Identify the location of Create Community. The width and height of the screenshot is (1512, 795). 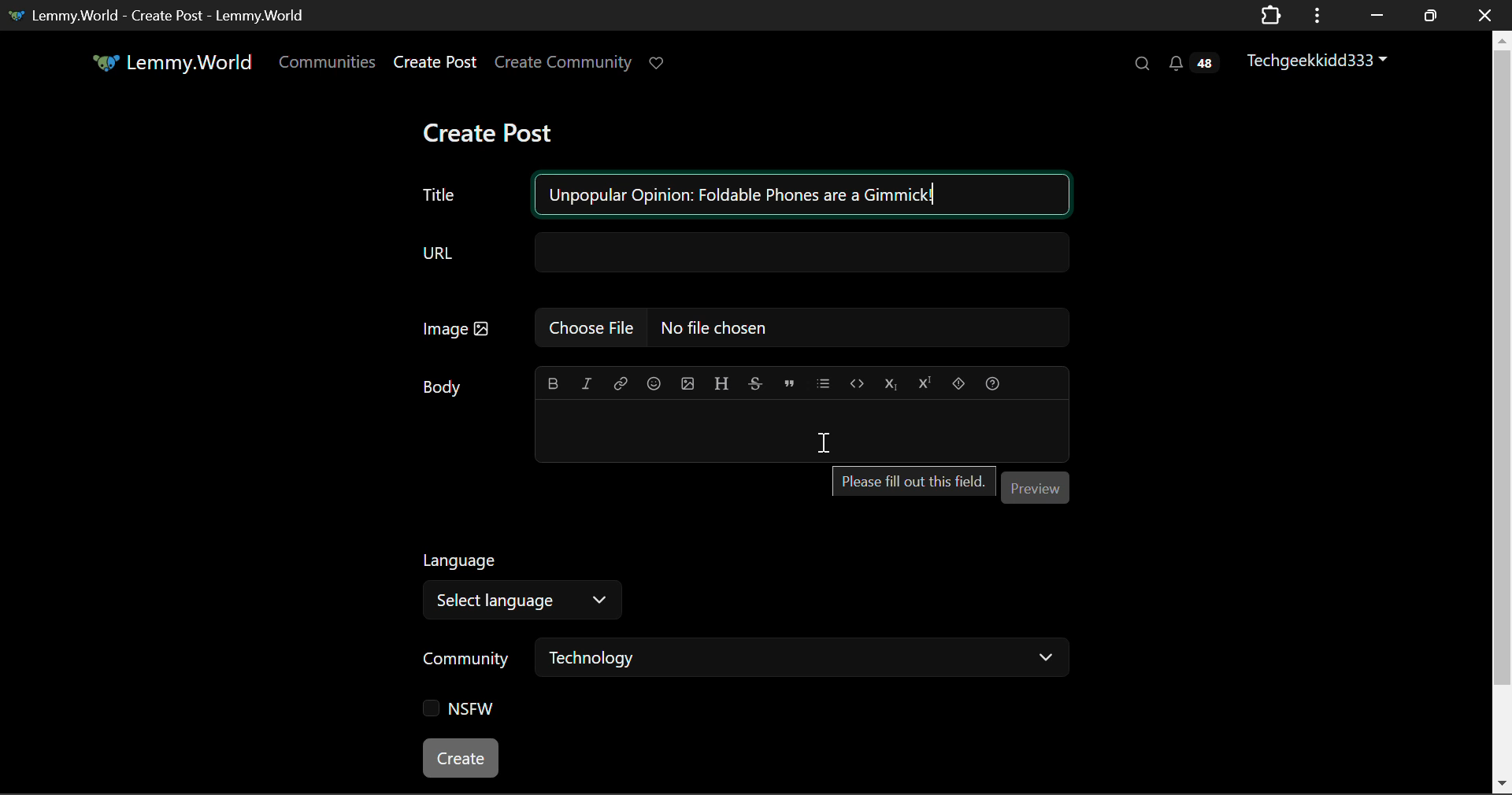
(563, 65).